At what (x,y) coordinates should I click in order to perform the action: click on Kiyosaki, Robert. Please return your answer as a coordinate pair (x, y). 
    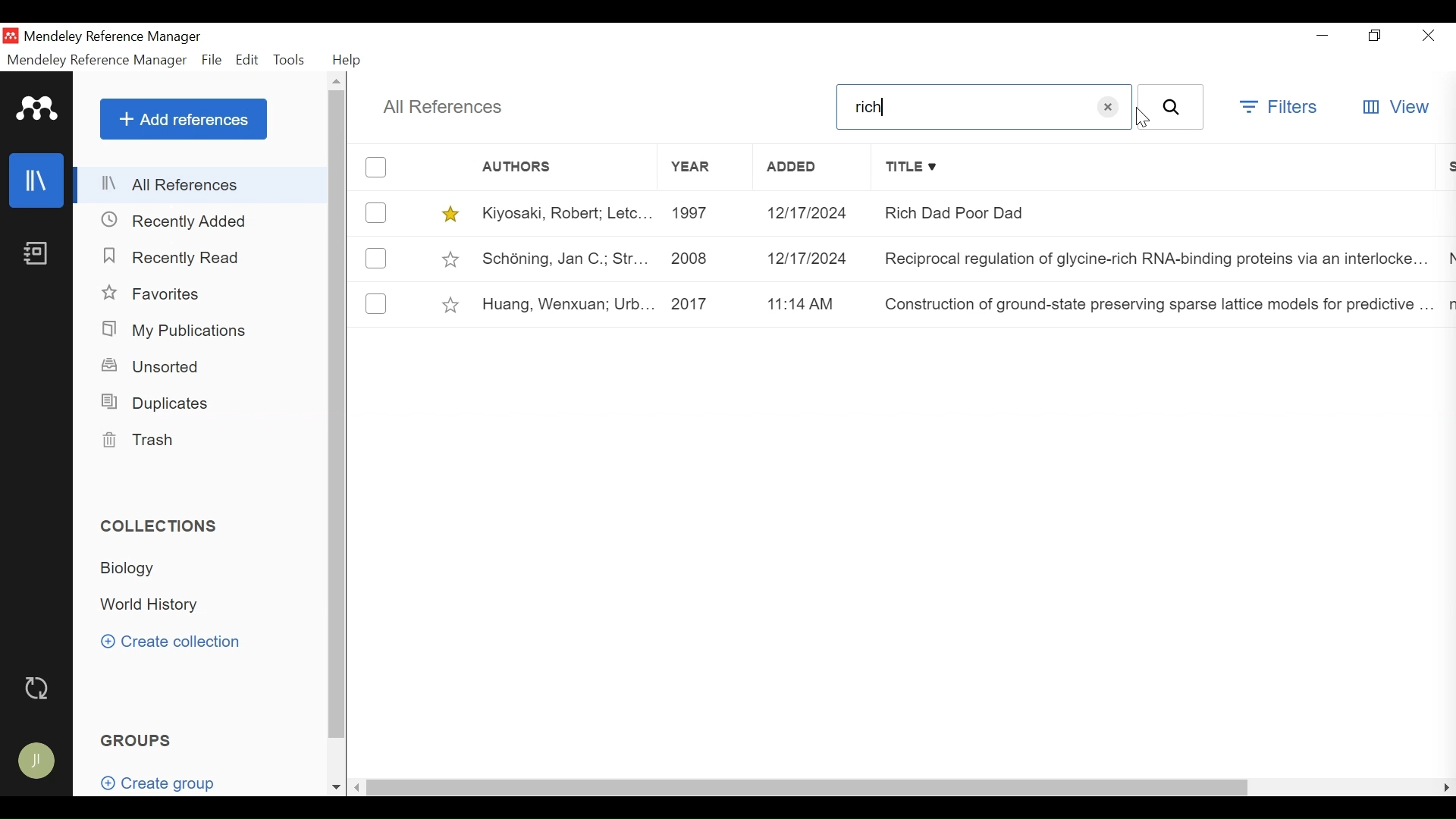
    Looking at the image, I should click on (563, 212).